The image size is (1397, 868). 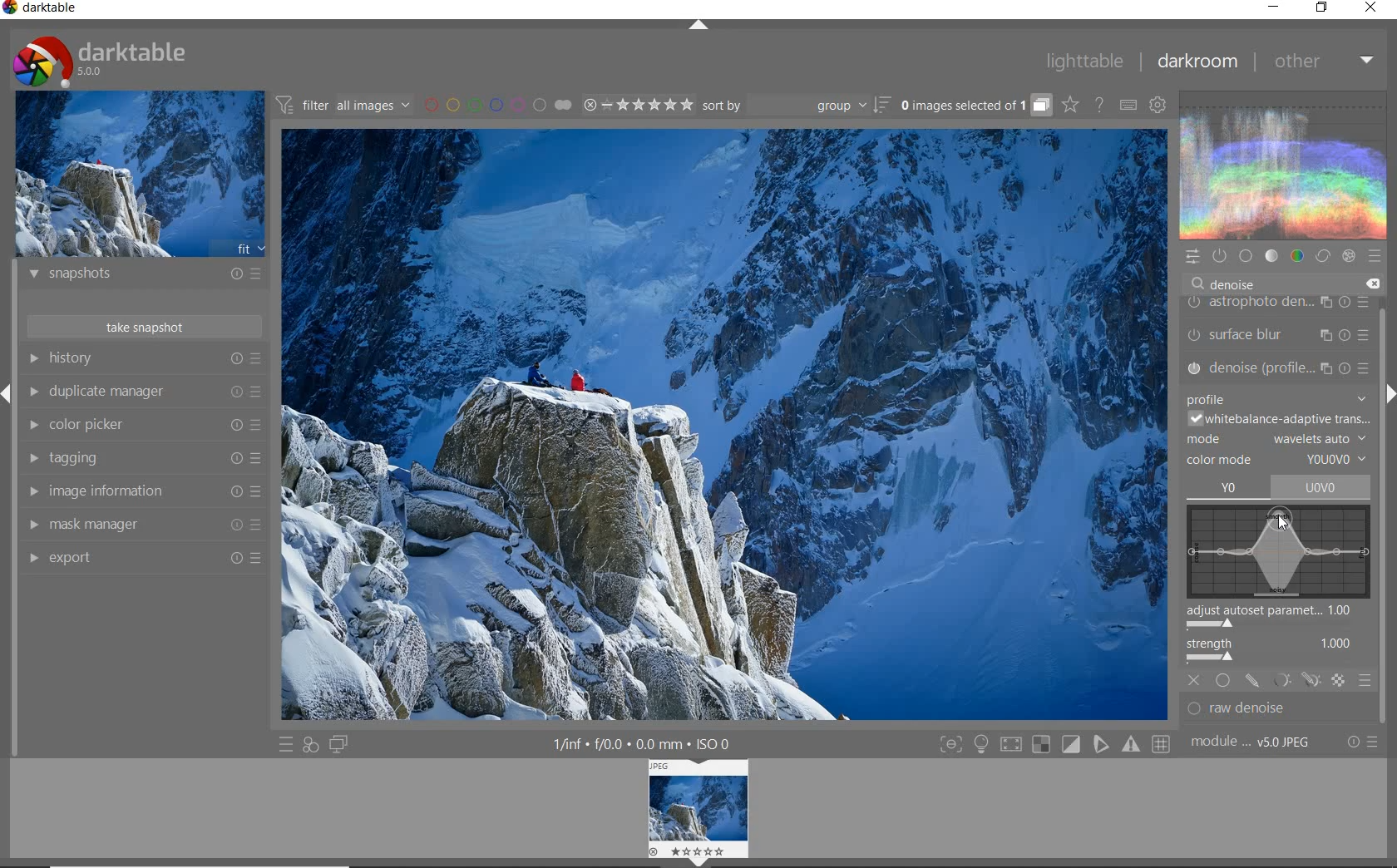 What do you see at coordinates (311, 747) in the screenshot?
I see `quick access for applying any of your styles` at bounding box center [311, 747].